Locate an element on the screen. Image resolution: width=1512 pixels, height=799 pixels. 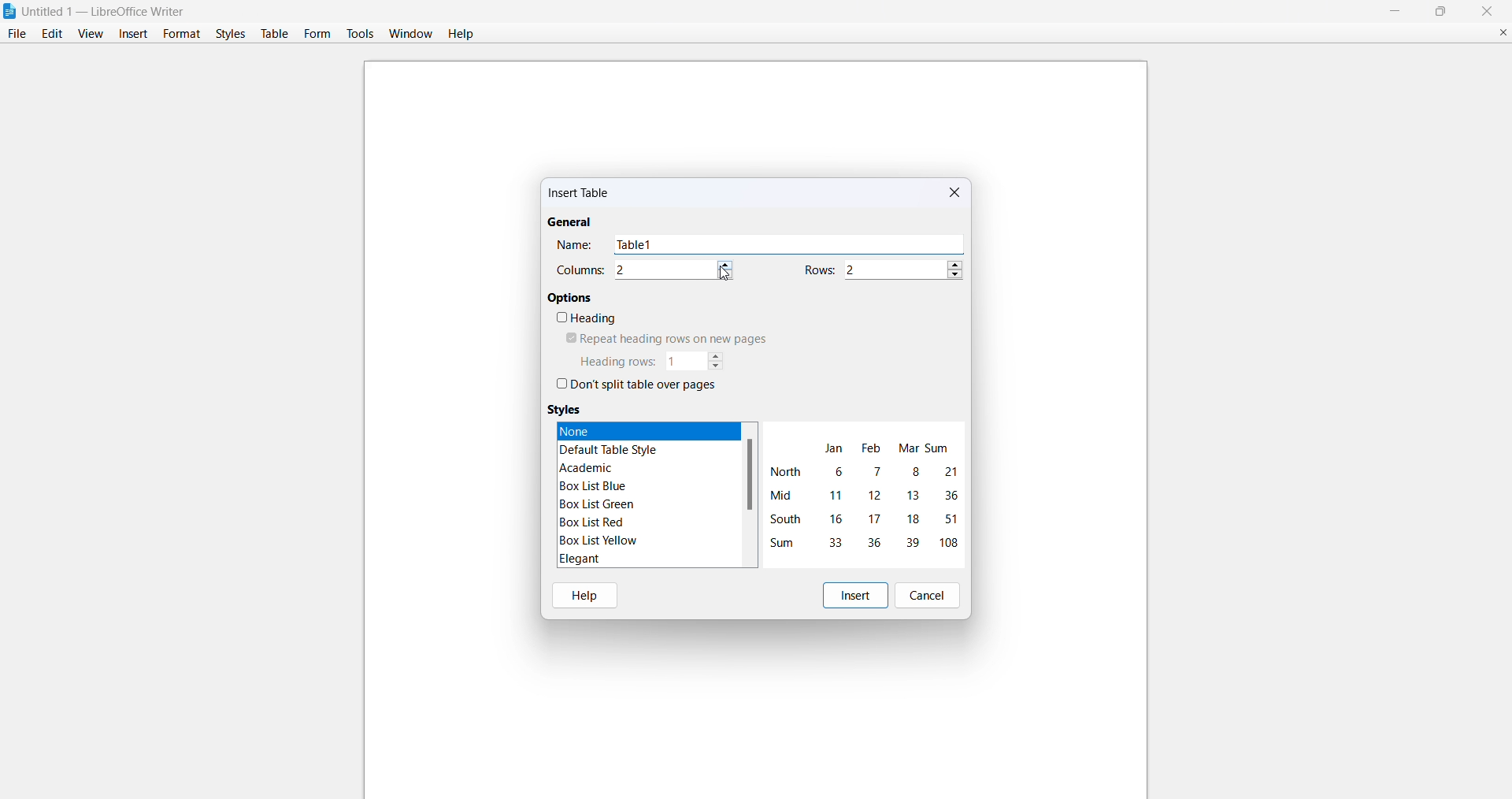
decrease column is located at coordinates (727, 274).